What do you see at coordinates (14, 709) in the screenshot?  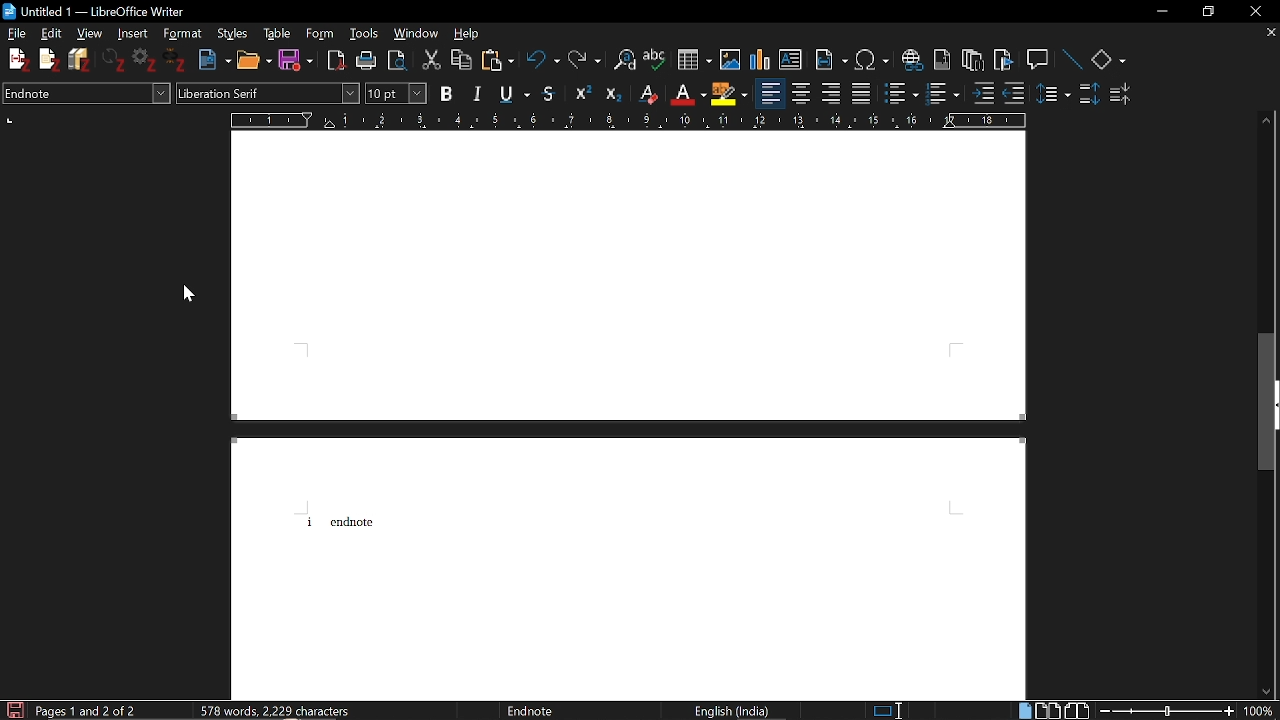 I see `Save` at bounding box center [14, 709].